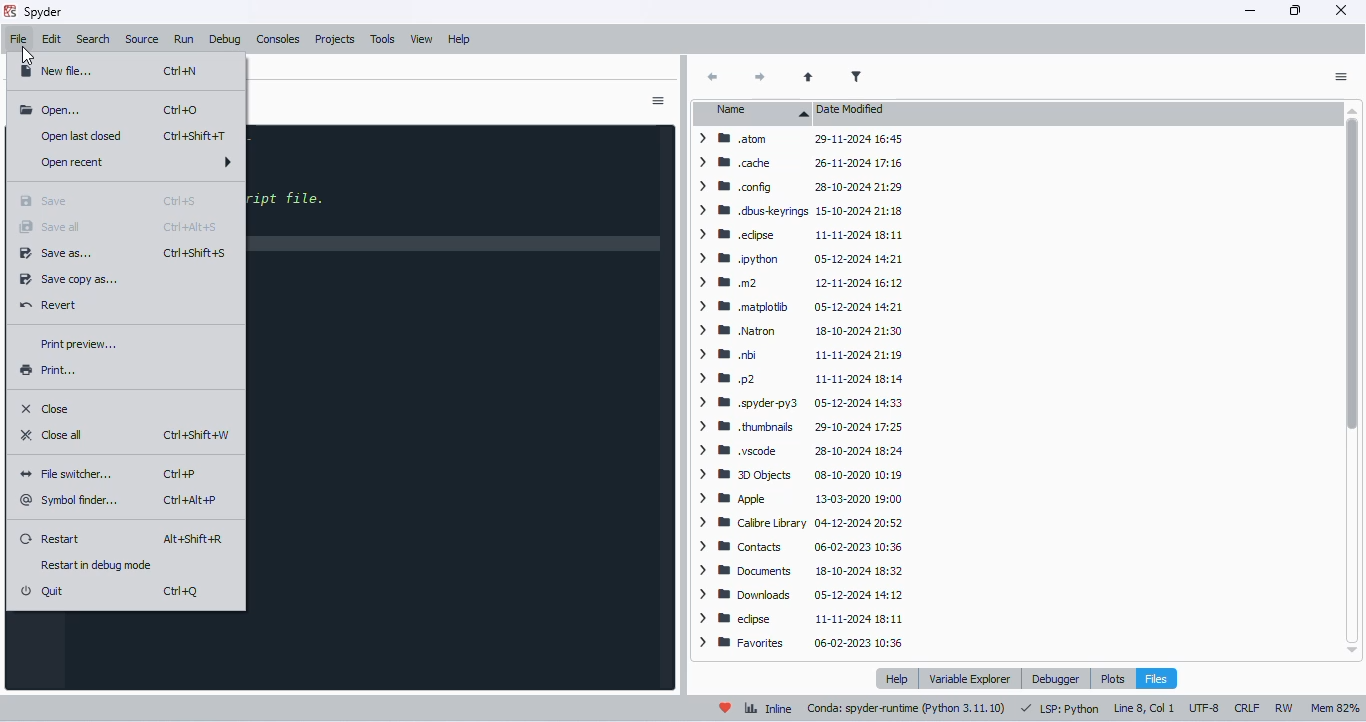 The image size is (1366, 722). I want to click on run, so click(184, 40).